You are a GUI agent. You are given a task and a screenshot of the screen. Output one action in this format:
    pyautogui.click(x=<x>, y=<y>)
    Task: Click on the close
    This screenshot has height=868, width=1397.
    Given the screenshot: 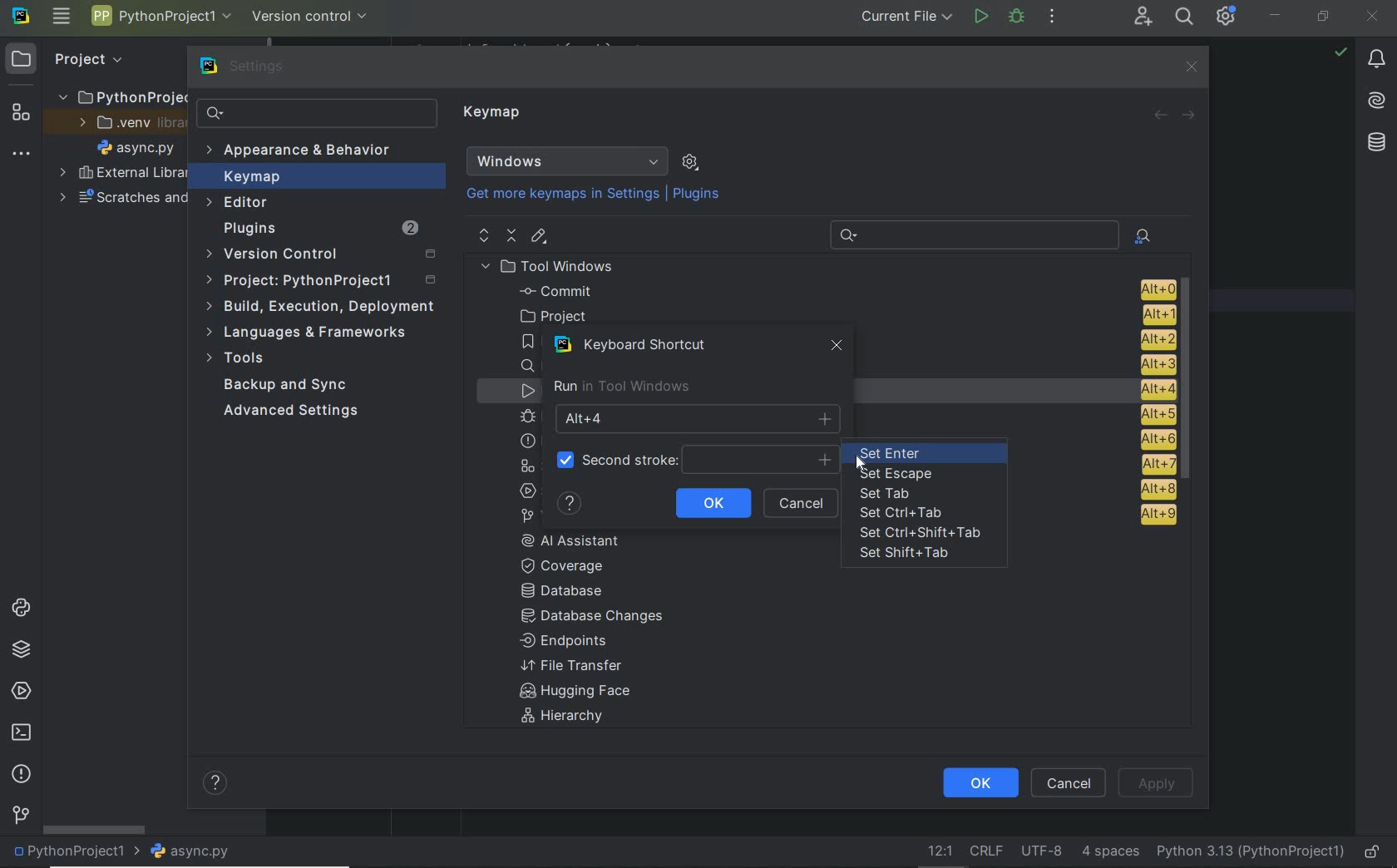 What is the action you would take?
    pyautogui.click(x=1190, y=67)
    